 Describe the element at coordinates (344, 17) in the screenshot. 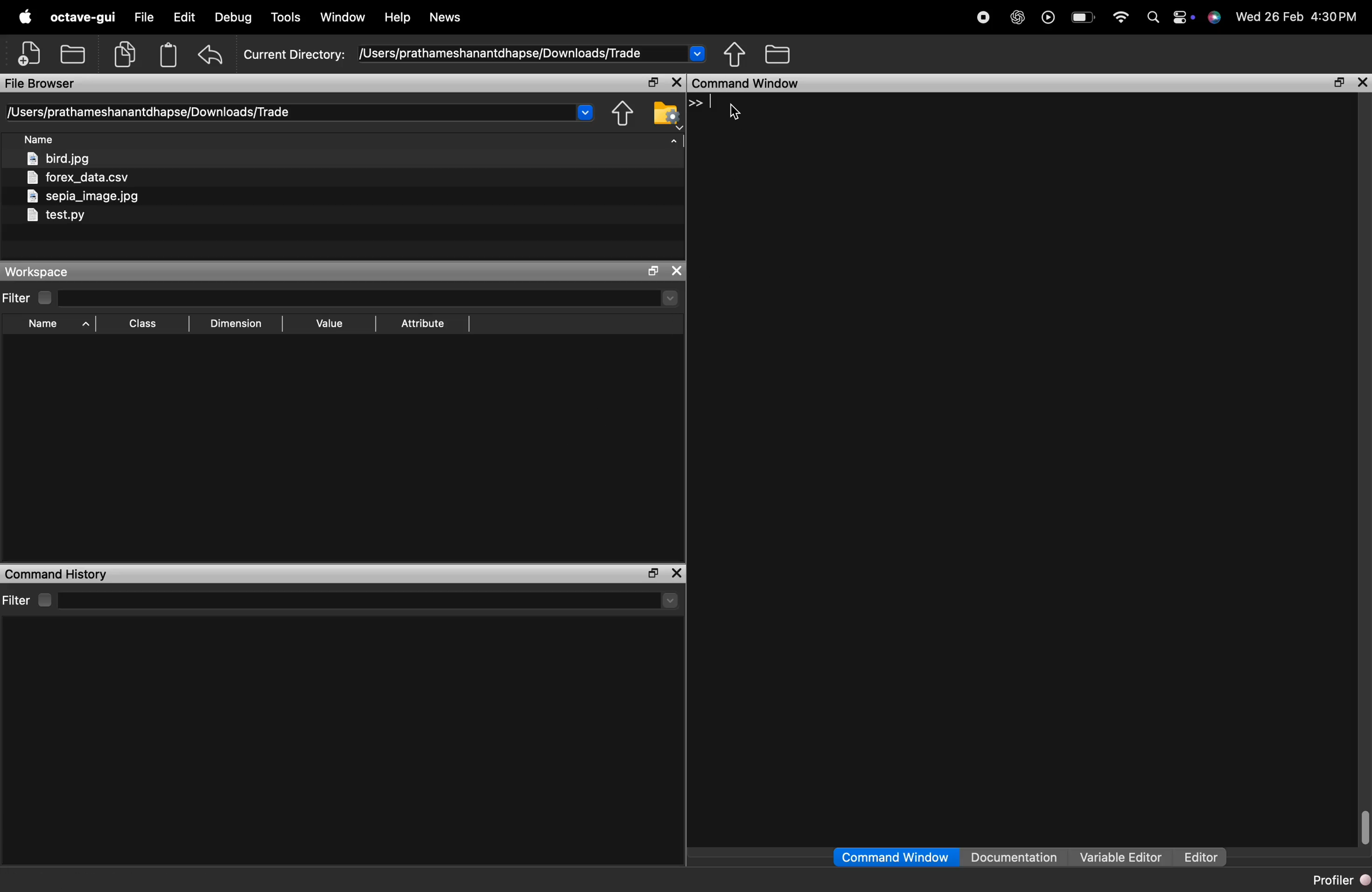

I see `window` at that location.